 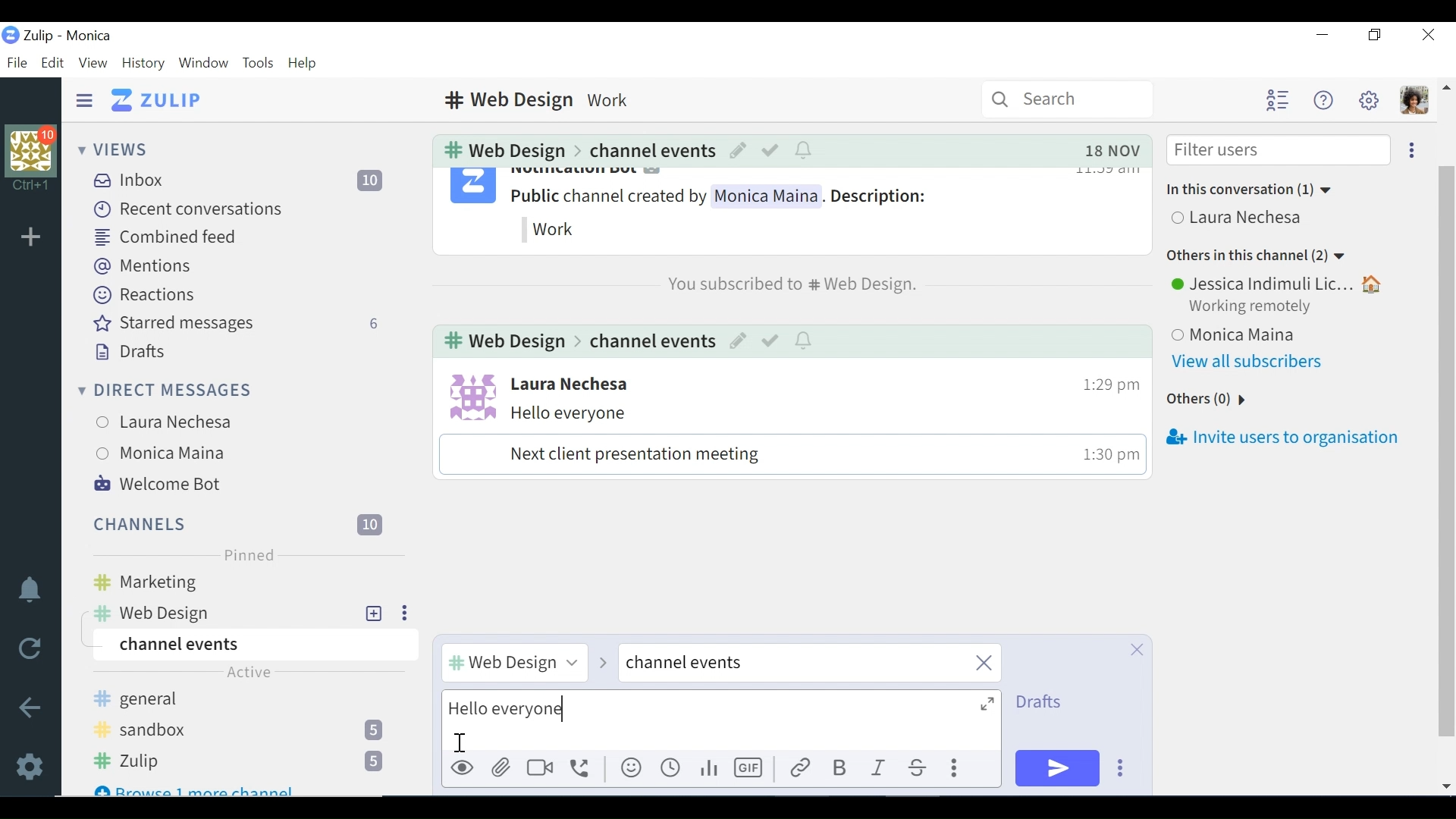 What do you see at coordinates (500, 150) in the screenshot?
I see `web design Channel` at bounding box center [500, 150].